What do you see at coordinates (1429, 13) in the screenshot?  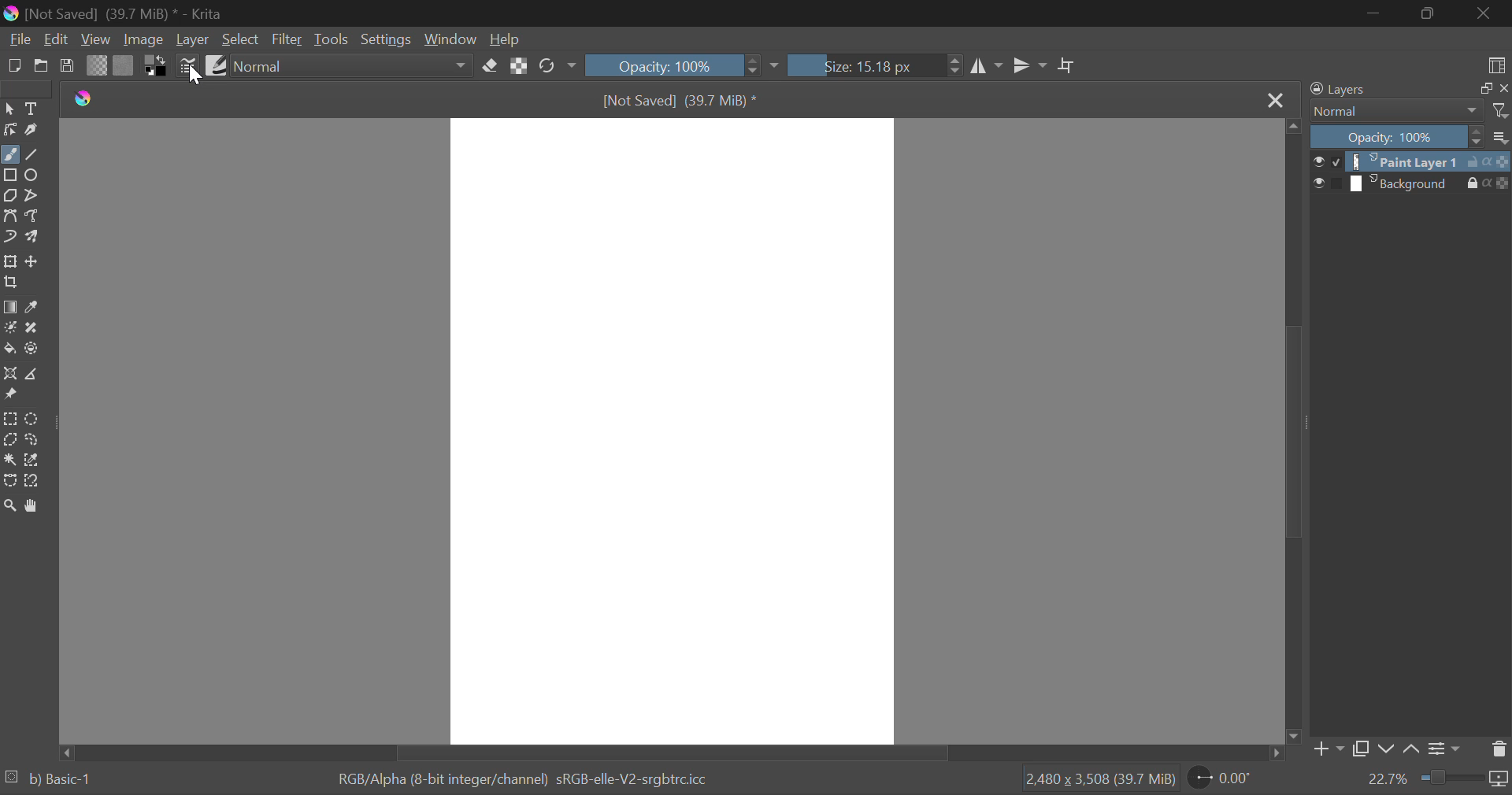 I see `Minimize` at bounding box center [1429, 13].